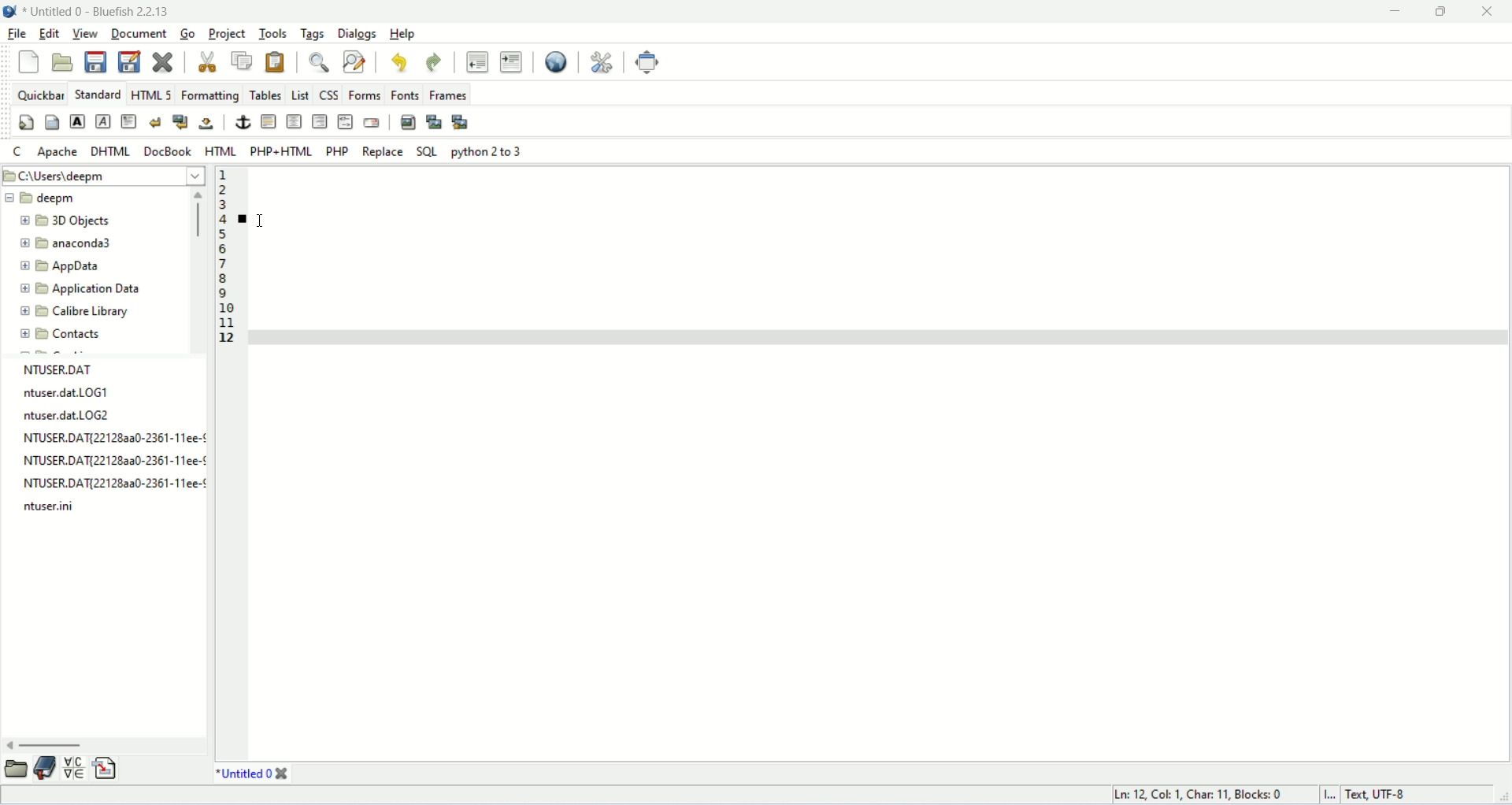 This screenshot has width=1512, height=805. What do you see at coordinates (100, 13) in the screenshot?
I see `file` at bounding box center [100, 13].